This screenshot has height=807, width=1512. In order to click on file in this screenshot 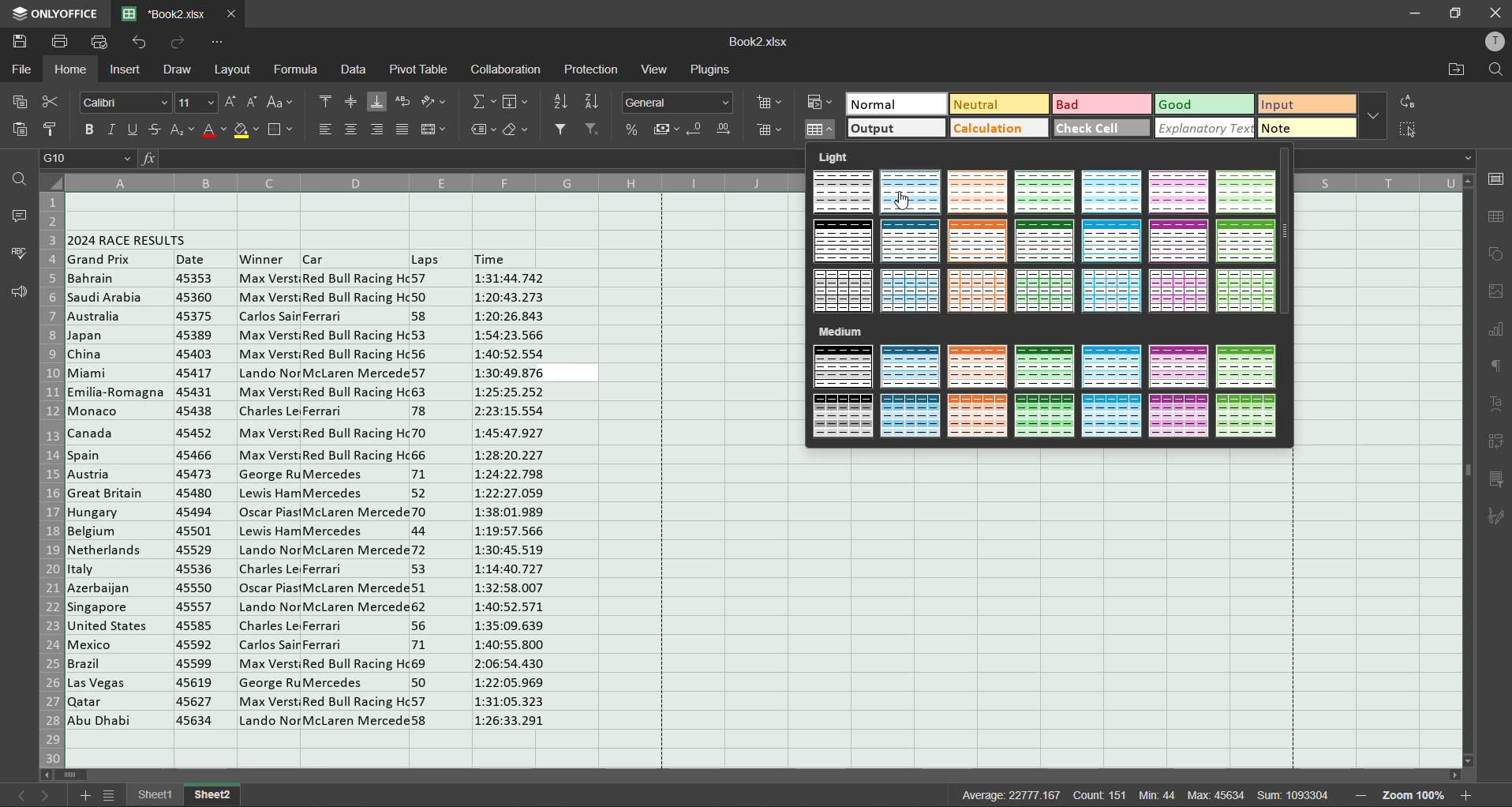, I will do `click(23, 68)`.